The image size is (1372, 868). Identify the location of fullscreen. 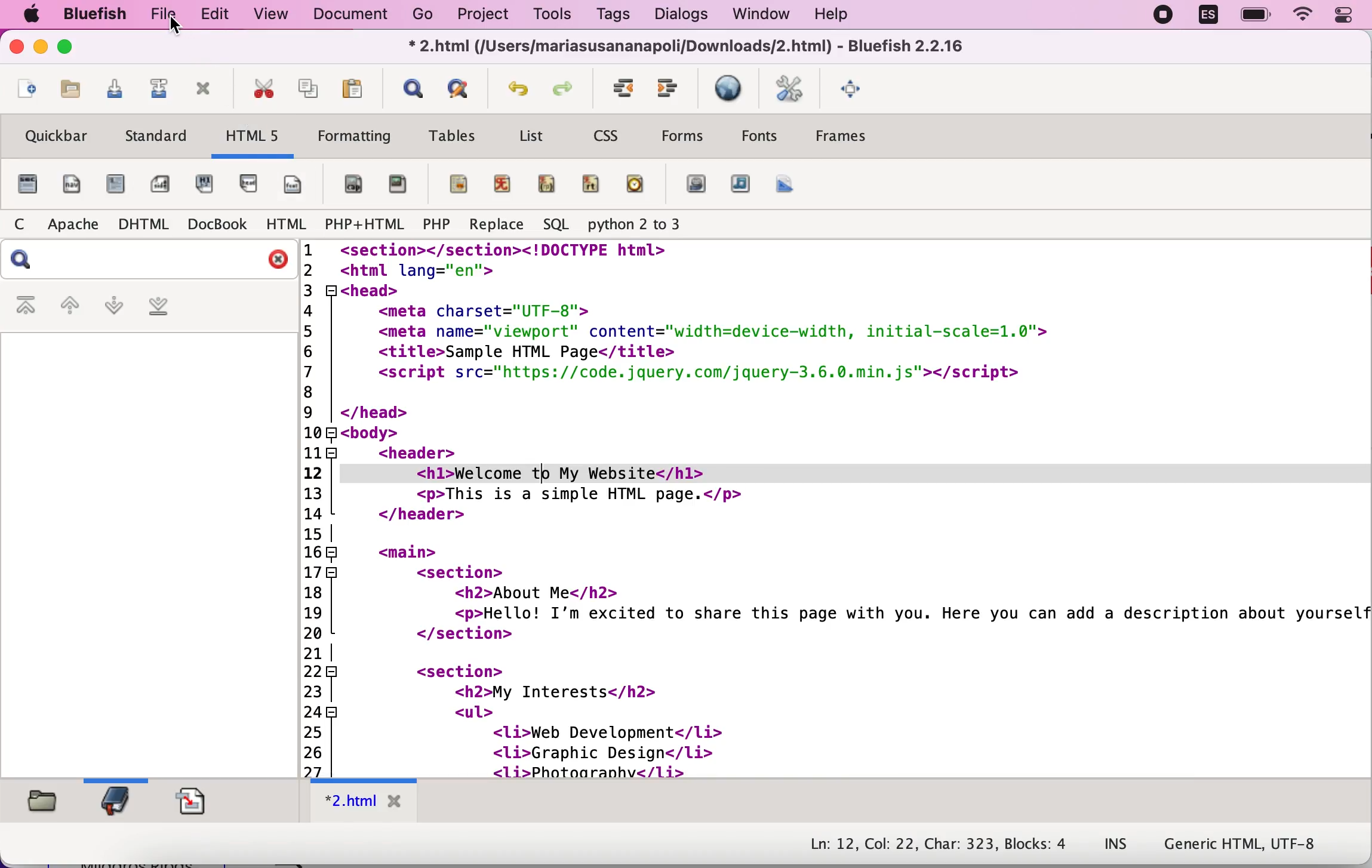
(853, 88).